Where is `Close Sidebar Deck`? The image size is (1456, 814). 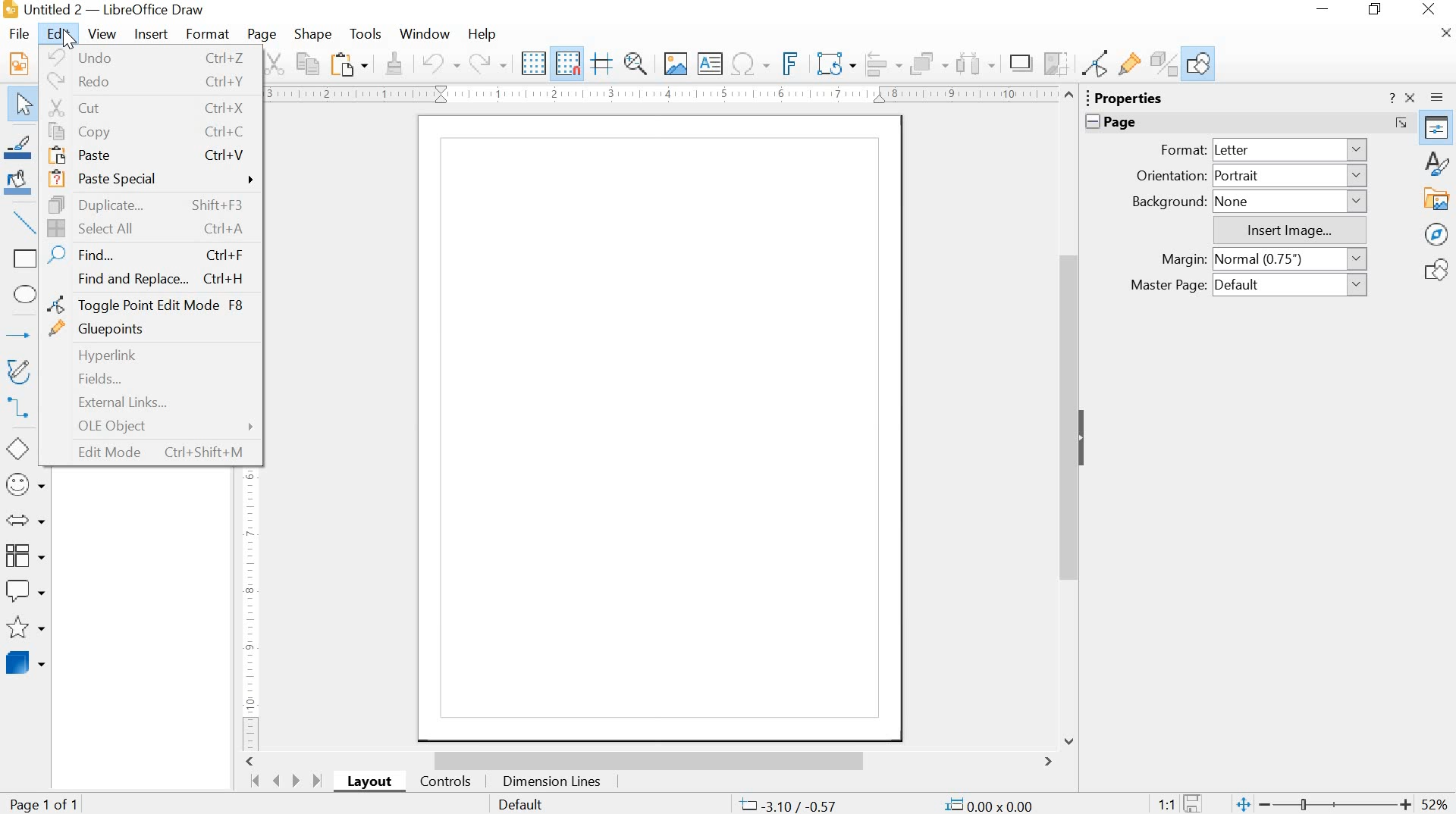
Close Sidebar Deck is located at coordinates (1414, 96).